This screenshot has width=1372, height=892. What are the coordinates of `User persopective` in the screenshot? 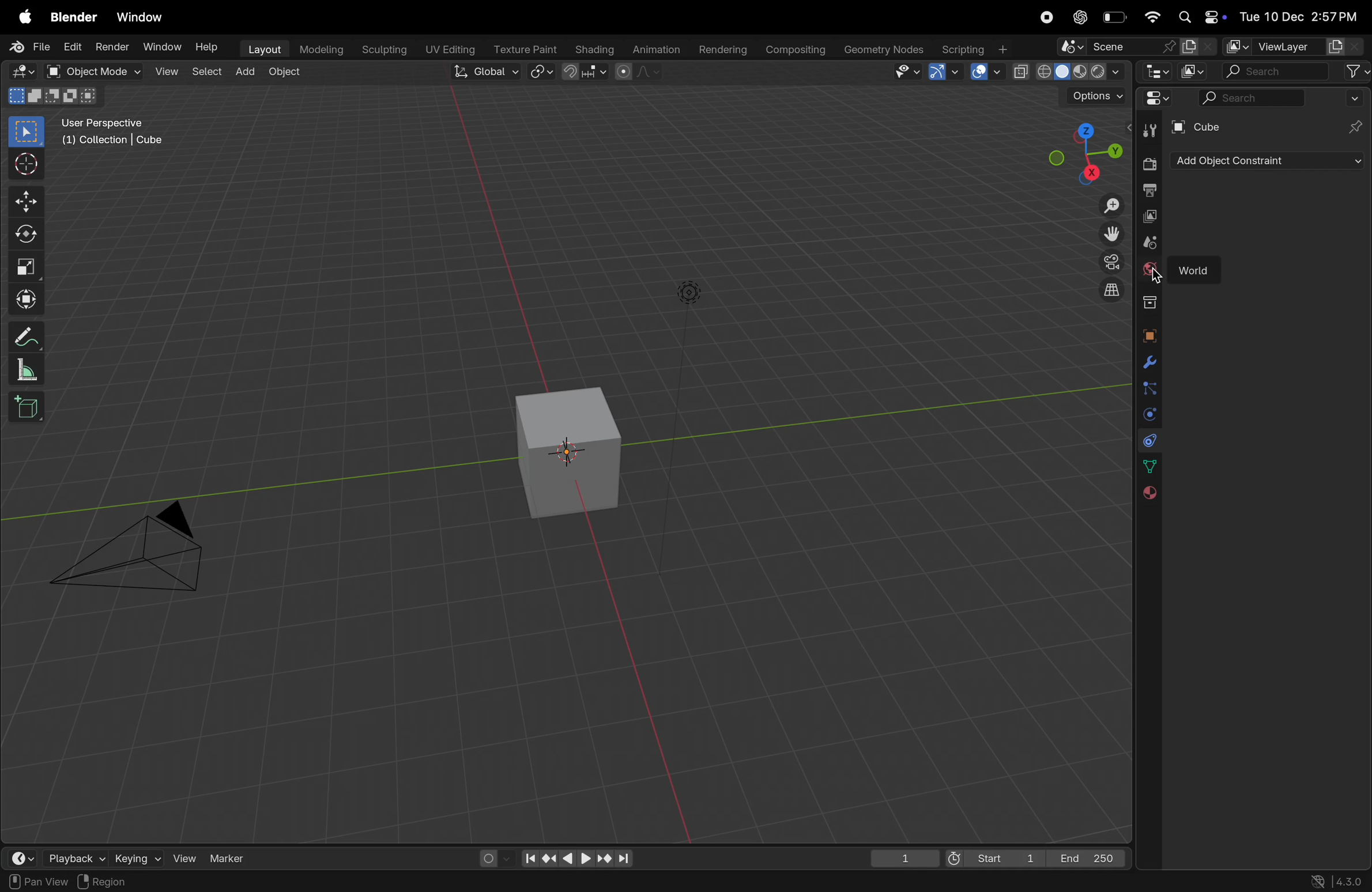 It's located at (115, 139).